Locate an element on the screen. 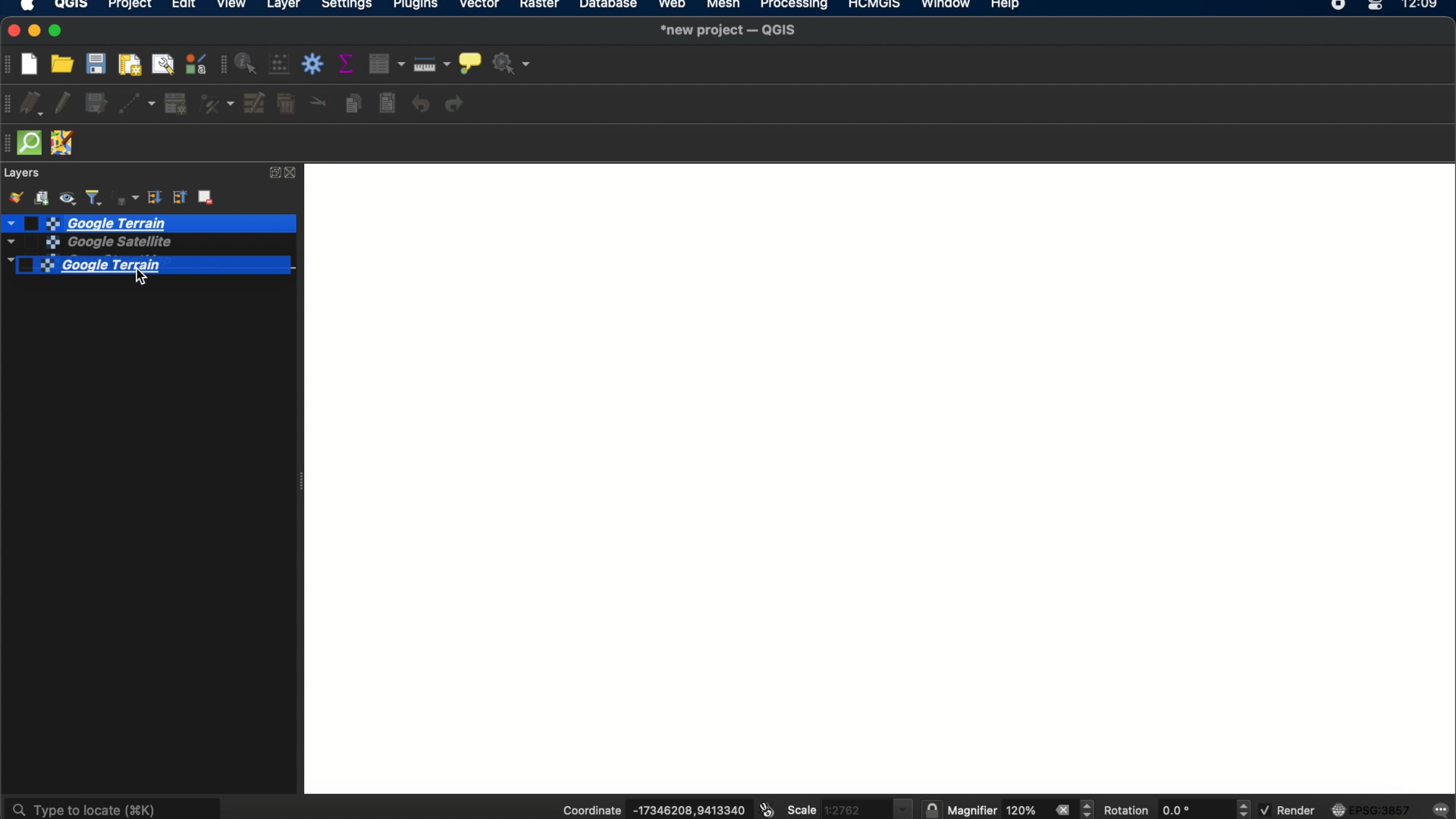 This screenshot has height=819, width=1456. messages is located at coordinates (1442, 808).